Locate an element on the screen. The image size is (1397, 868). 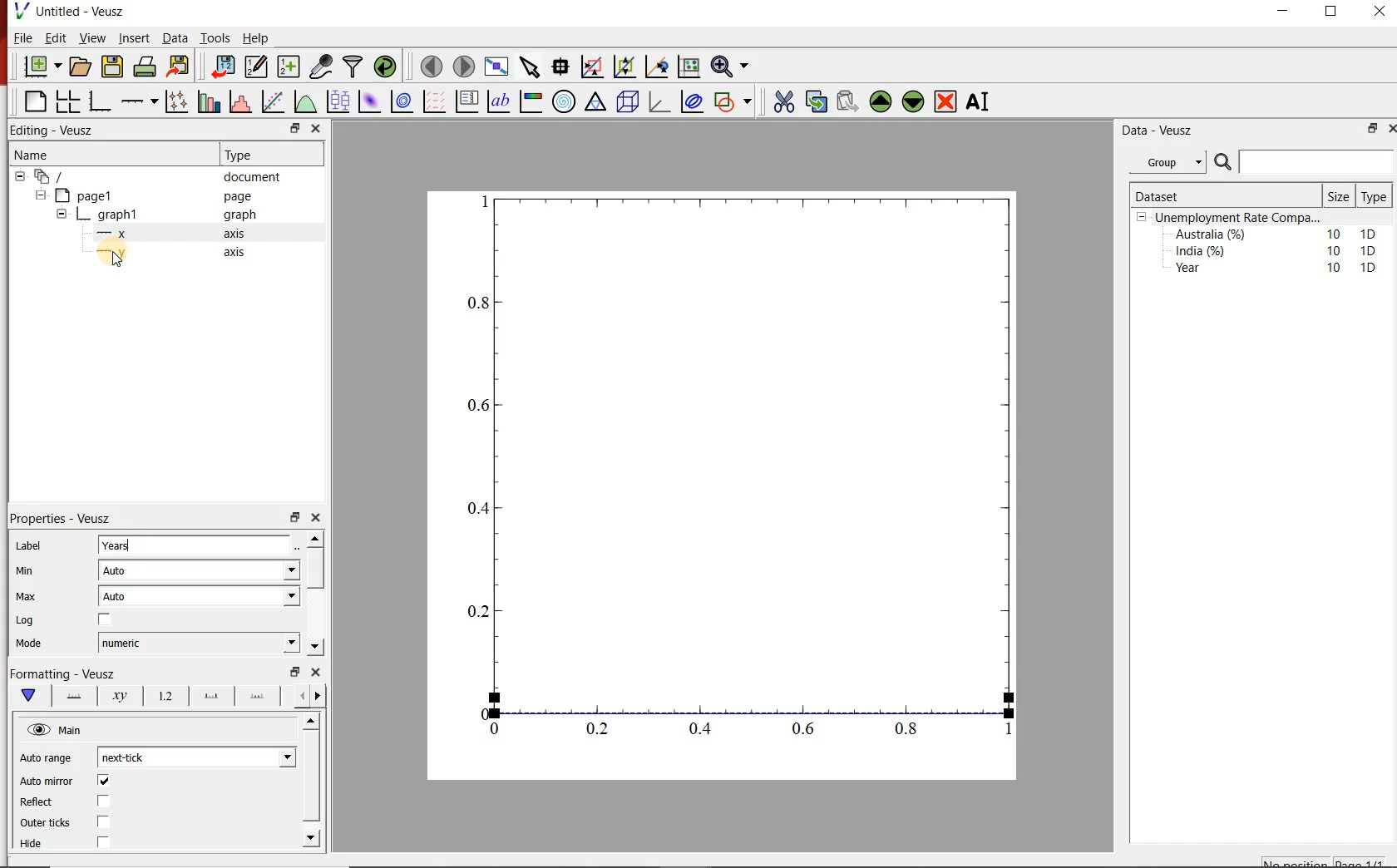
close is located at coordinates (1378, 15).